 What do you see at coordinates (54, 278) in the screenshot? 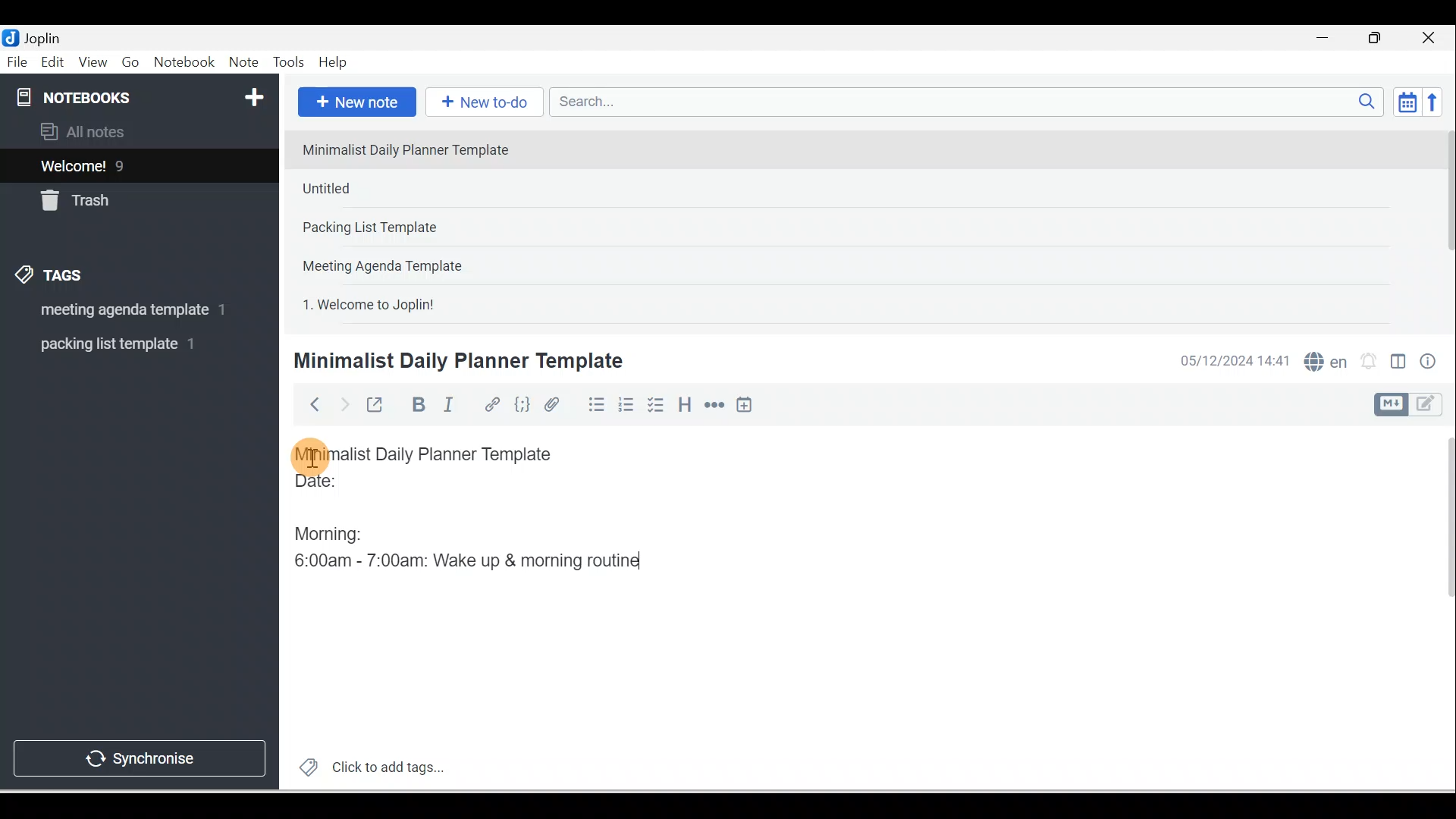
I see `Tags` at bounding box center [54, 278].